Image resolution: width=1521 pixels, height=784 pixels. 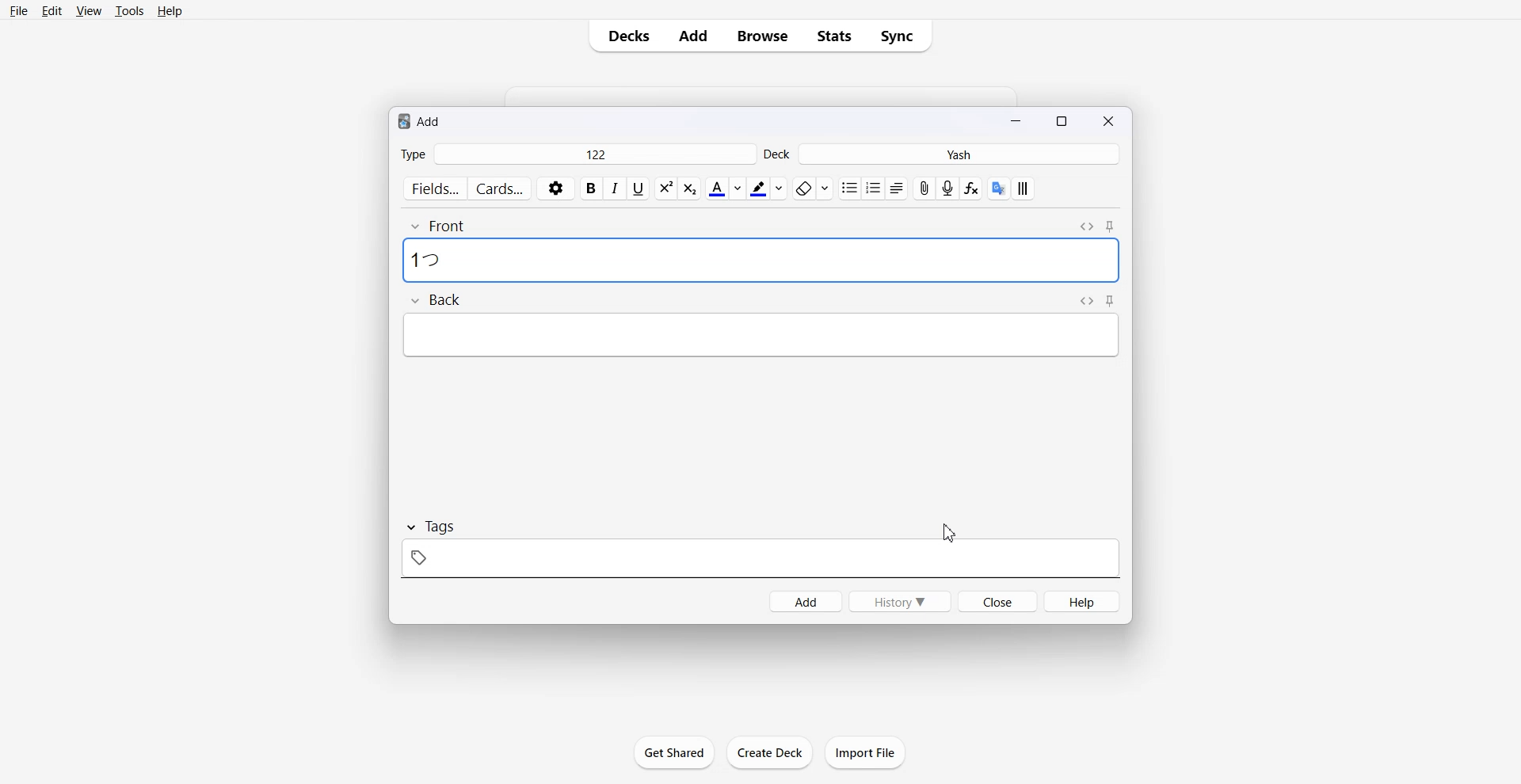 What do you see at coordinates (866, 752) in the screenshot?
I see `Import File` at bounding box center [866, 752].